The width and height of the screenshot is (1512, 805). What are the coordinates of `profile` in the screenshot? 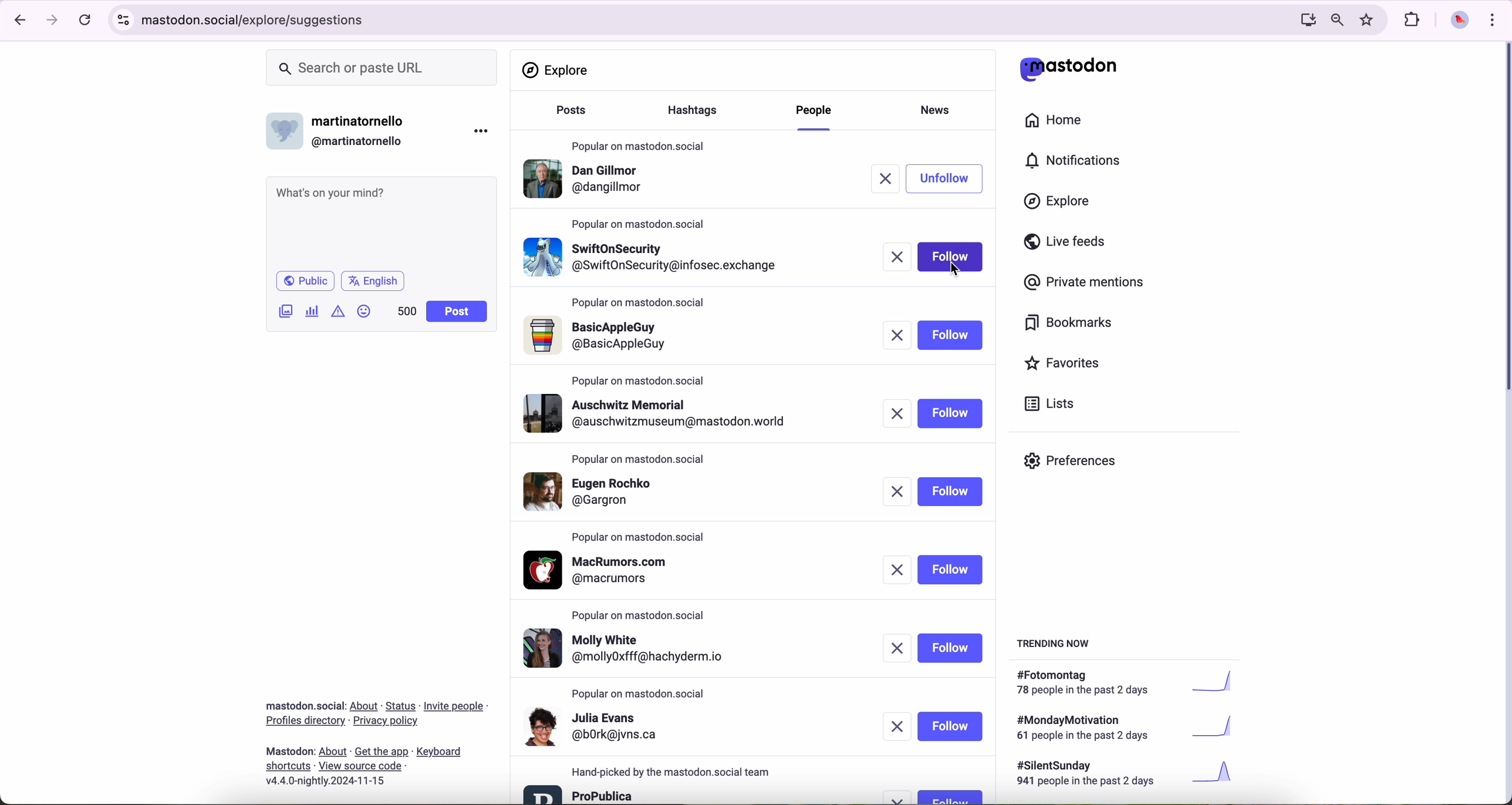 It's located at (580, 793).